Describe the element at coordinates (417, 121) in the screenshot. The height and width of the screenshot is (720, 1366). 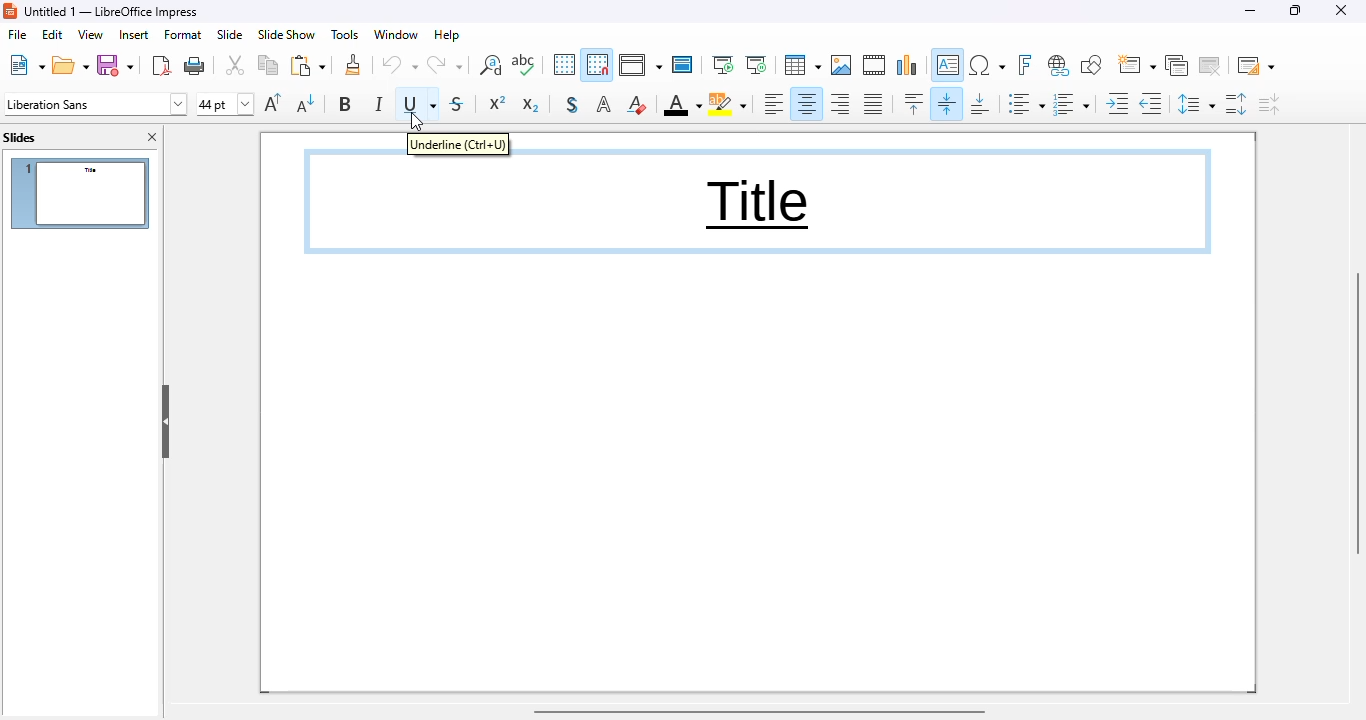
I see `cursor` at that location.